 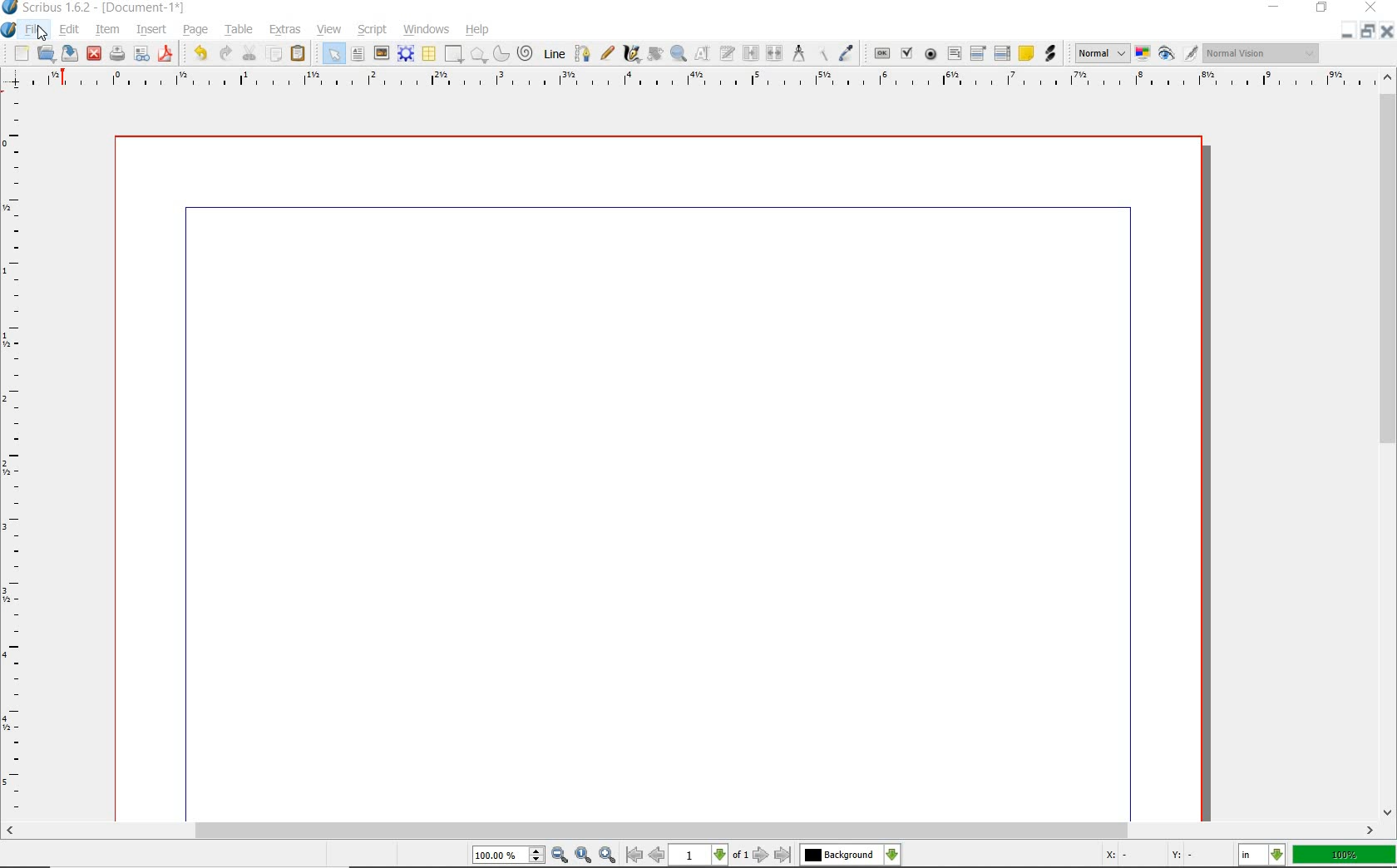 I want to click on select image preview mode, so click(x=1103, y=52).